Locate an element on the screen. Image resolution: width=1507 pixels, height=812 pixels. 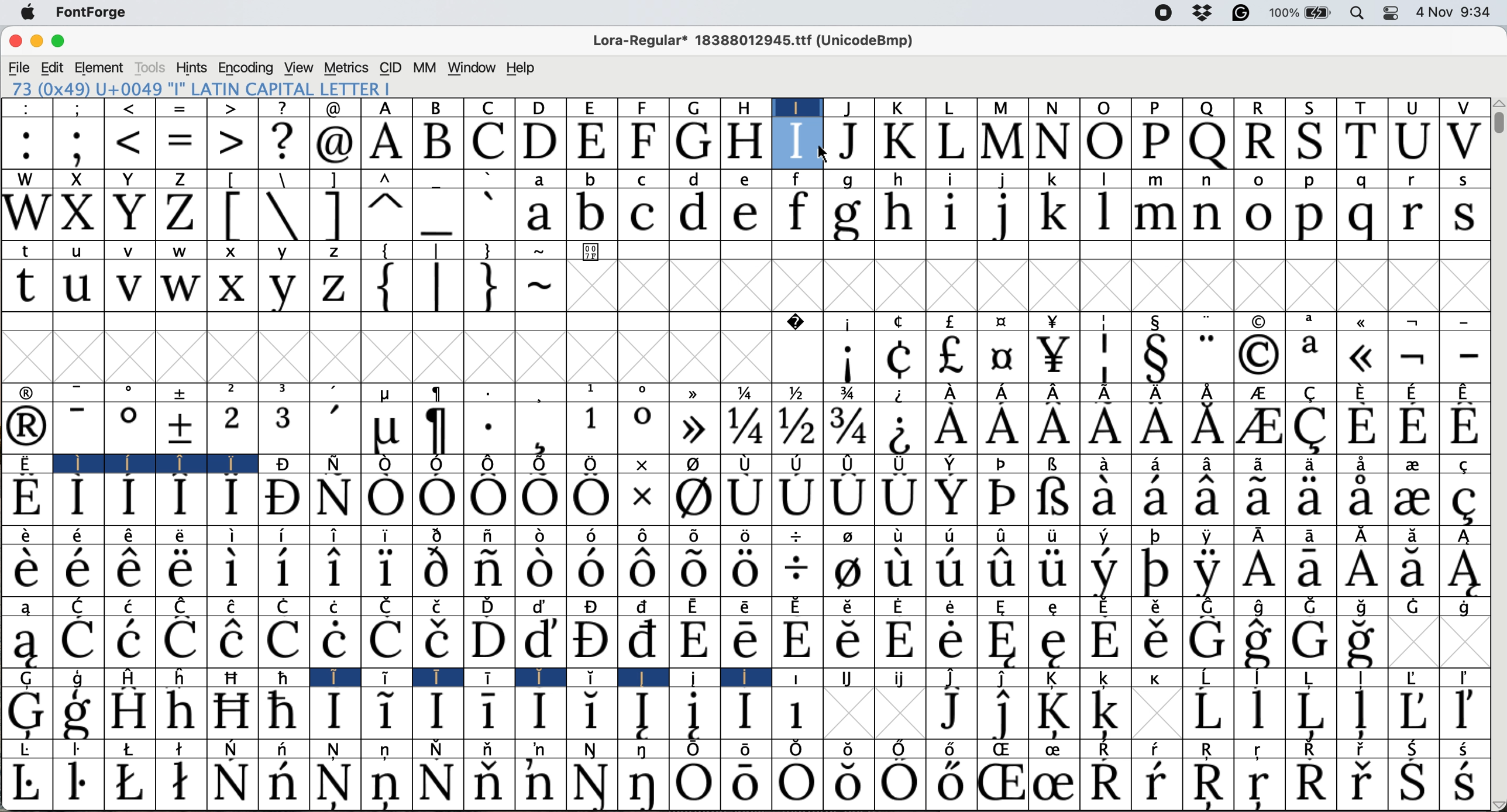
j is located at coordinates (1005, 215).